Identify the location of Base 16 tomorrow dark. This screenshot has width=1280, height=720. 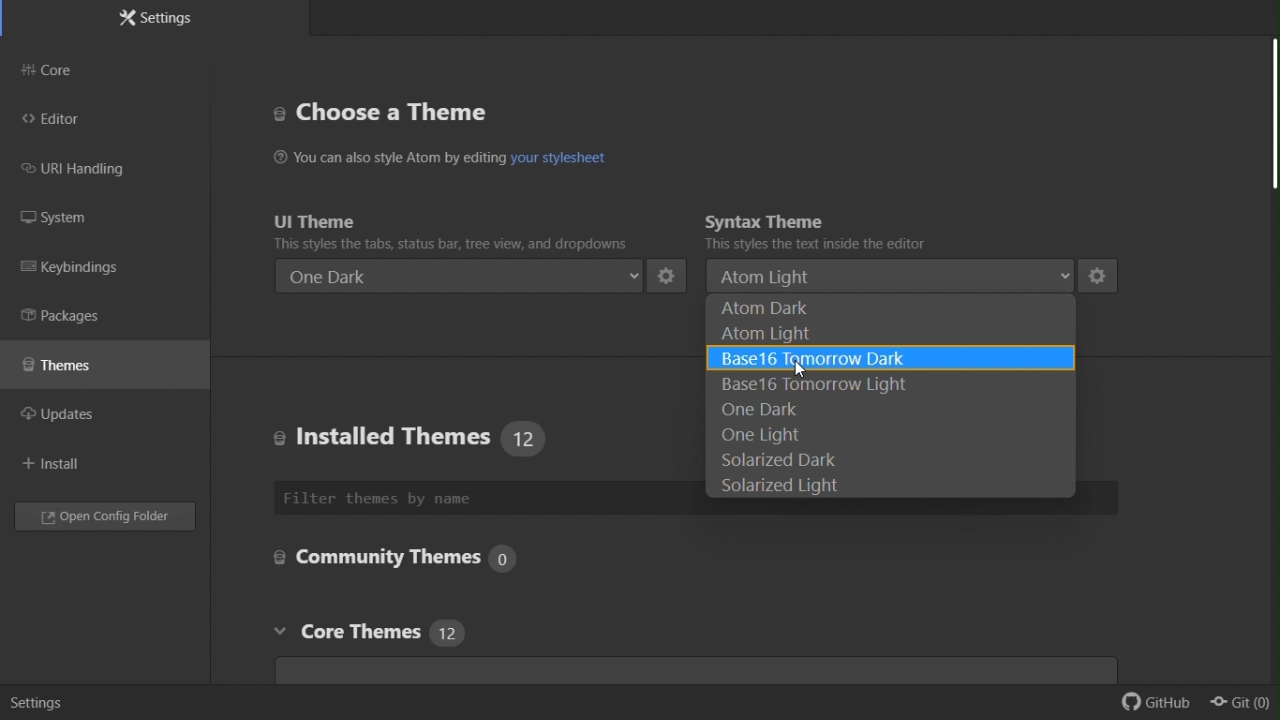
(889, 357).